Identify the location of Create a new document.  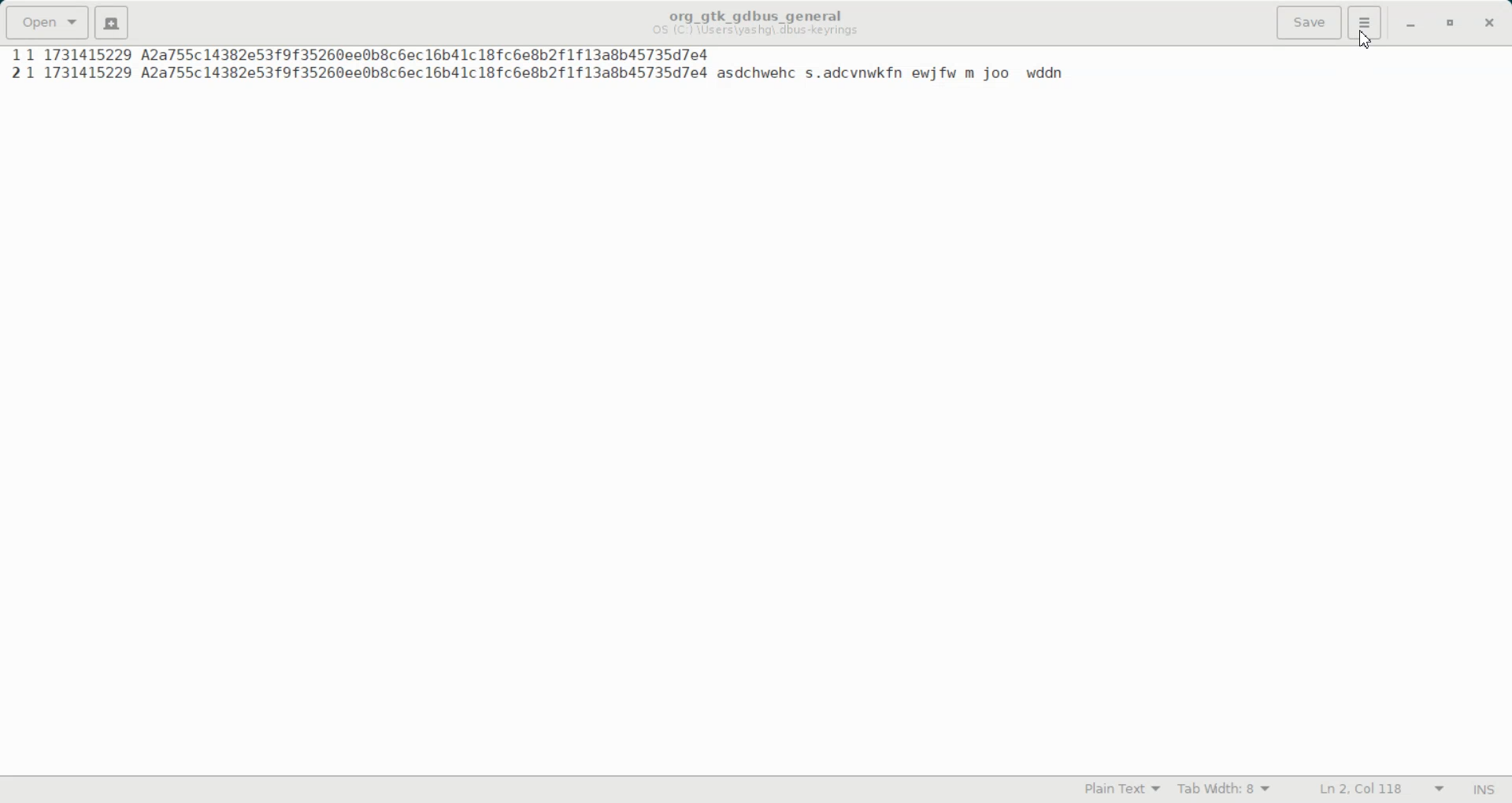
(111, 23).